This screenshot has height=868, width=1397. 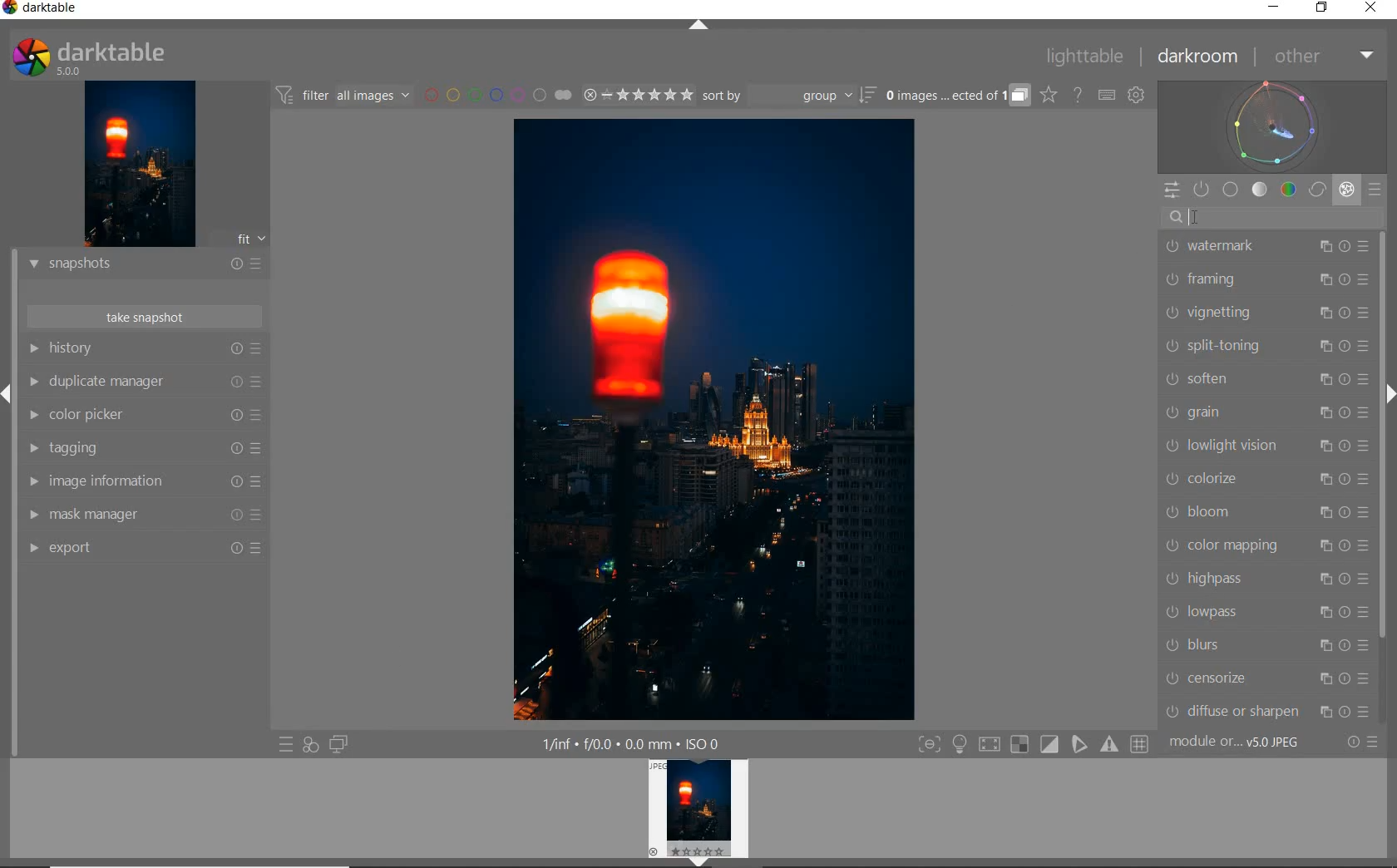 What do you see at coordinates (259, 483) in the screenshot?
I see `Preset and reset` at bounding box center [259, 483].